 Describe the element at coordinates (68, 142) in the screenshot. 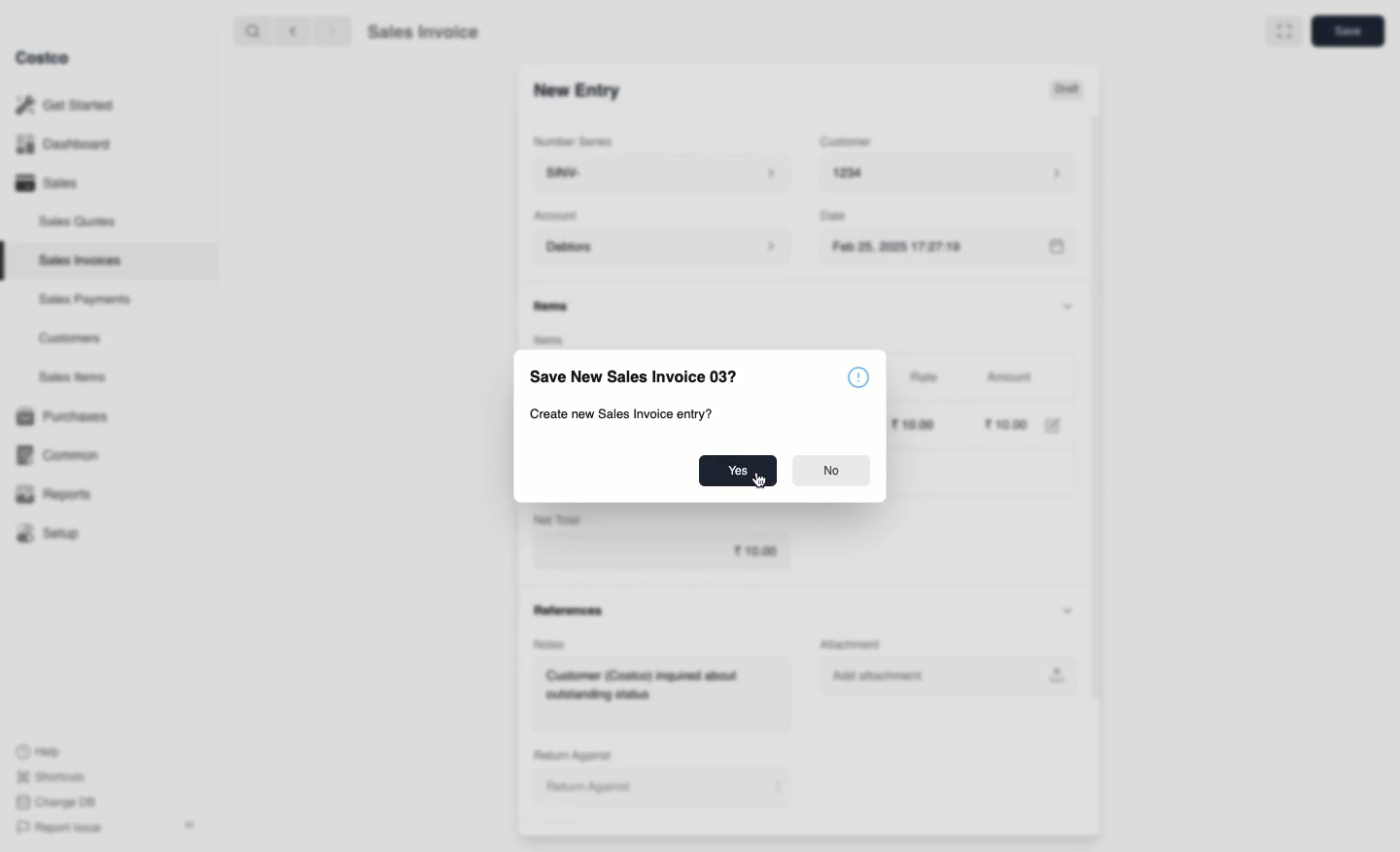

I see `Dashboard` at that location.